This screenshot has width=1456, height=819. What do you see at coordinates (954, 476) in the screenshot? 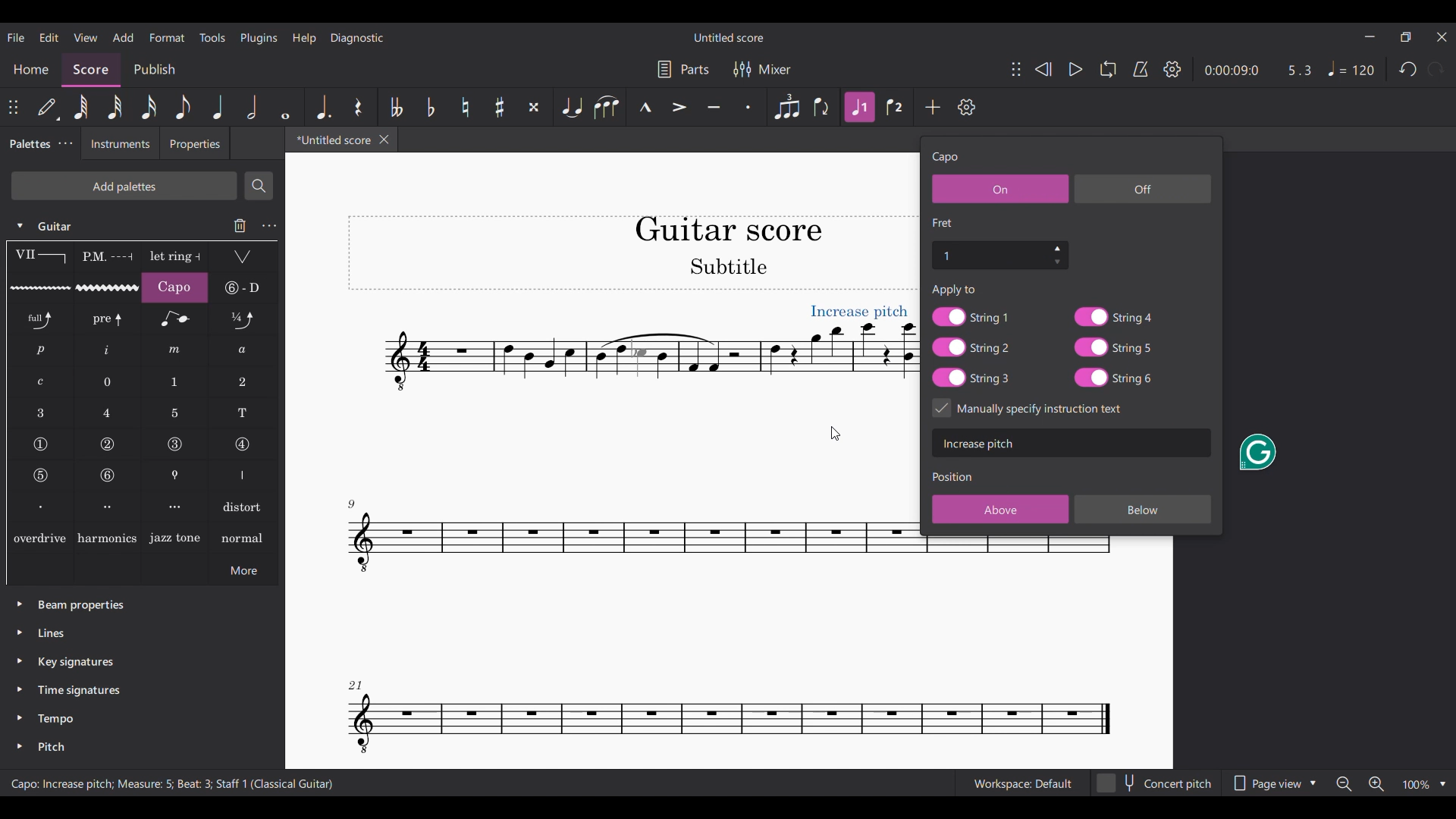
I see `Section title` at bounding box center [954, 476].